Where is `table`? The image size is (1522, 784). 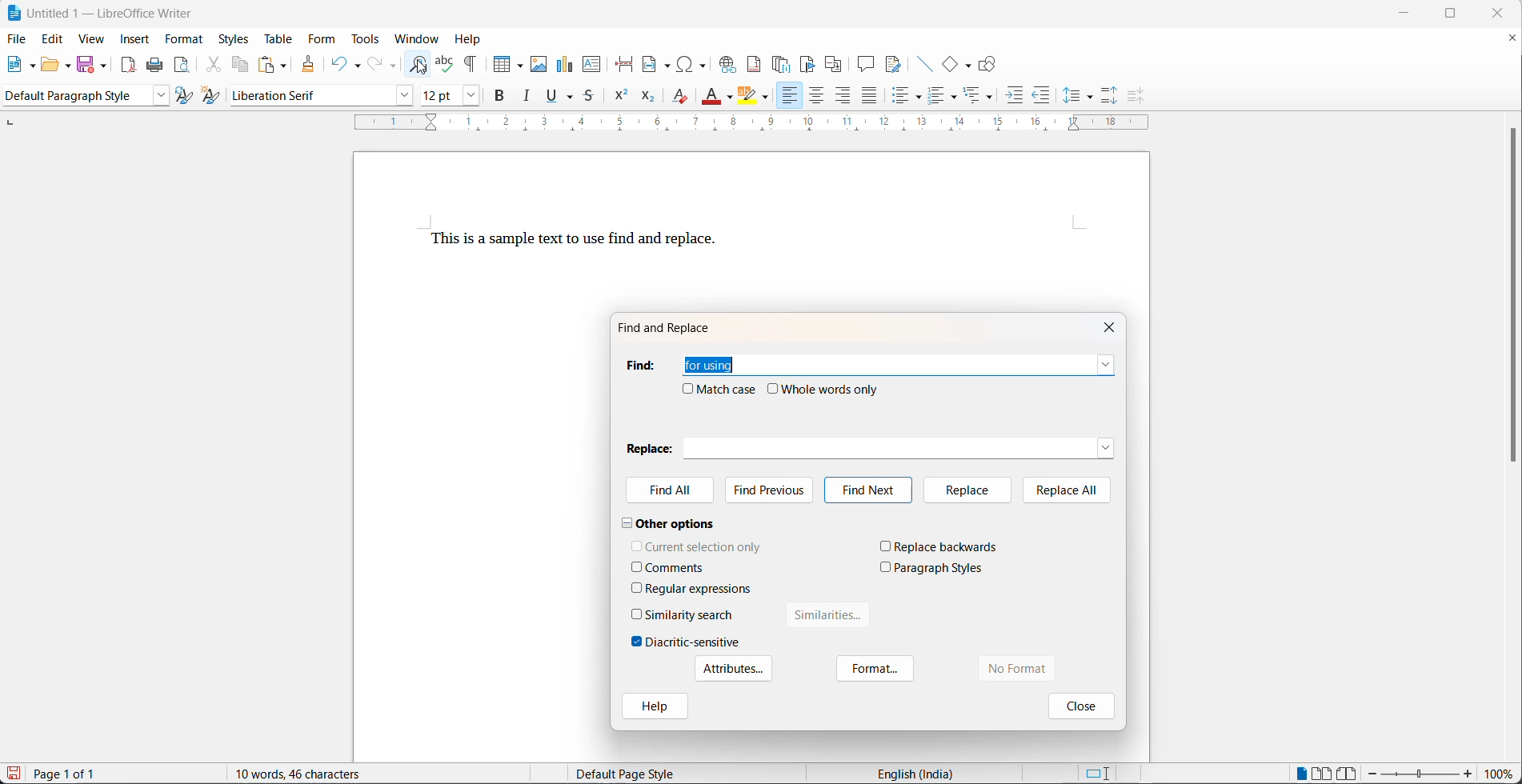 table is located at coordinates (276, 38).